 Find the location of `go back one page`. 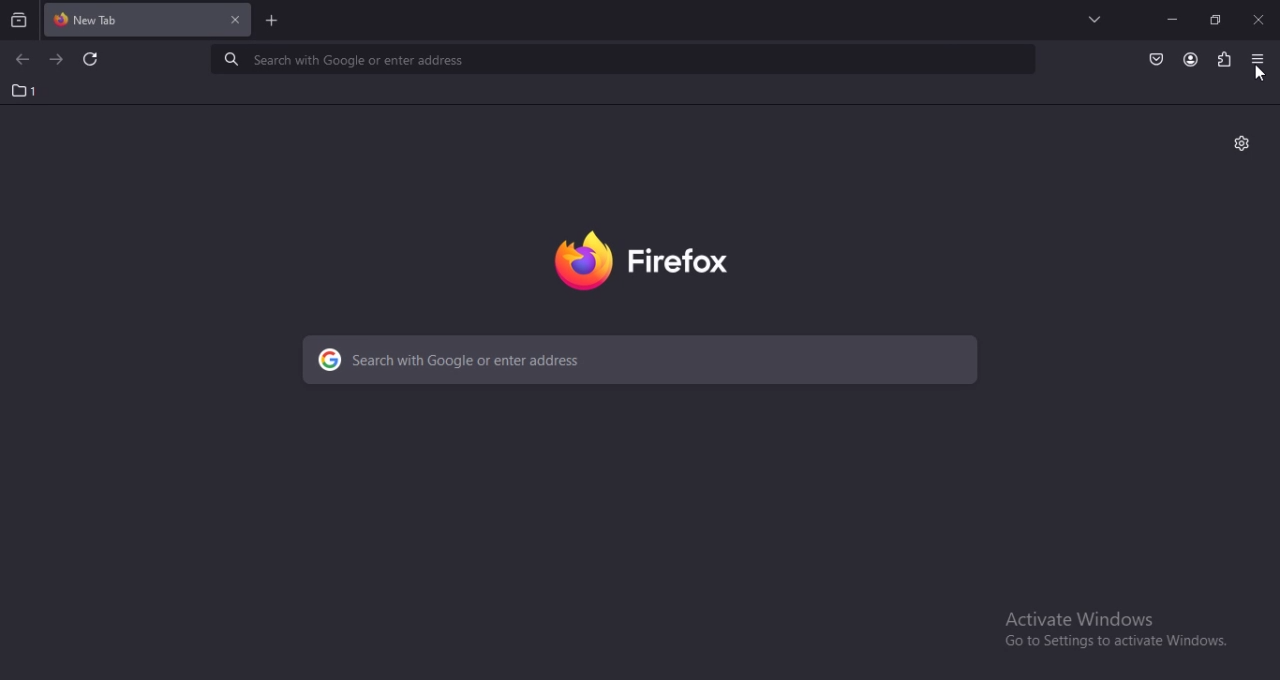

go back one page is located at coordinates (20, 59).